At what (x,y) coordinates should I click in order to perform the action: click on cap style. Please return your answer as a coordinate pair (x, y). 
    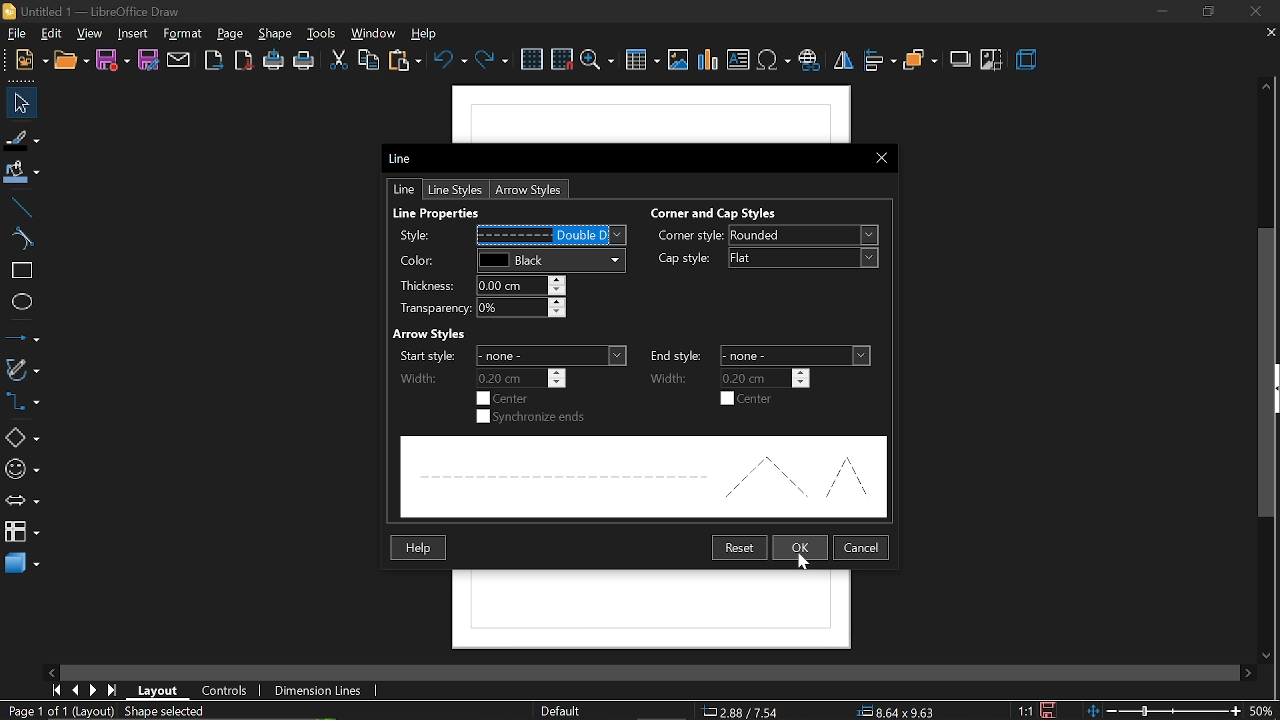
    Looking at the image, I should click on (766, 258).